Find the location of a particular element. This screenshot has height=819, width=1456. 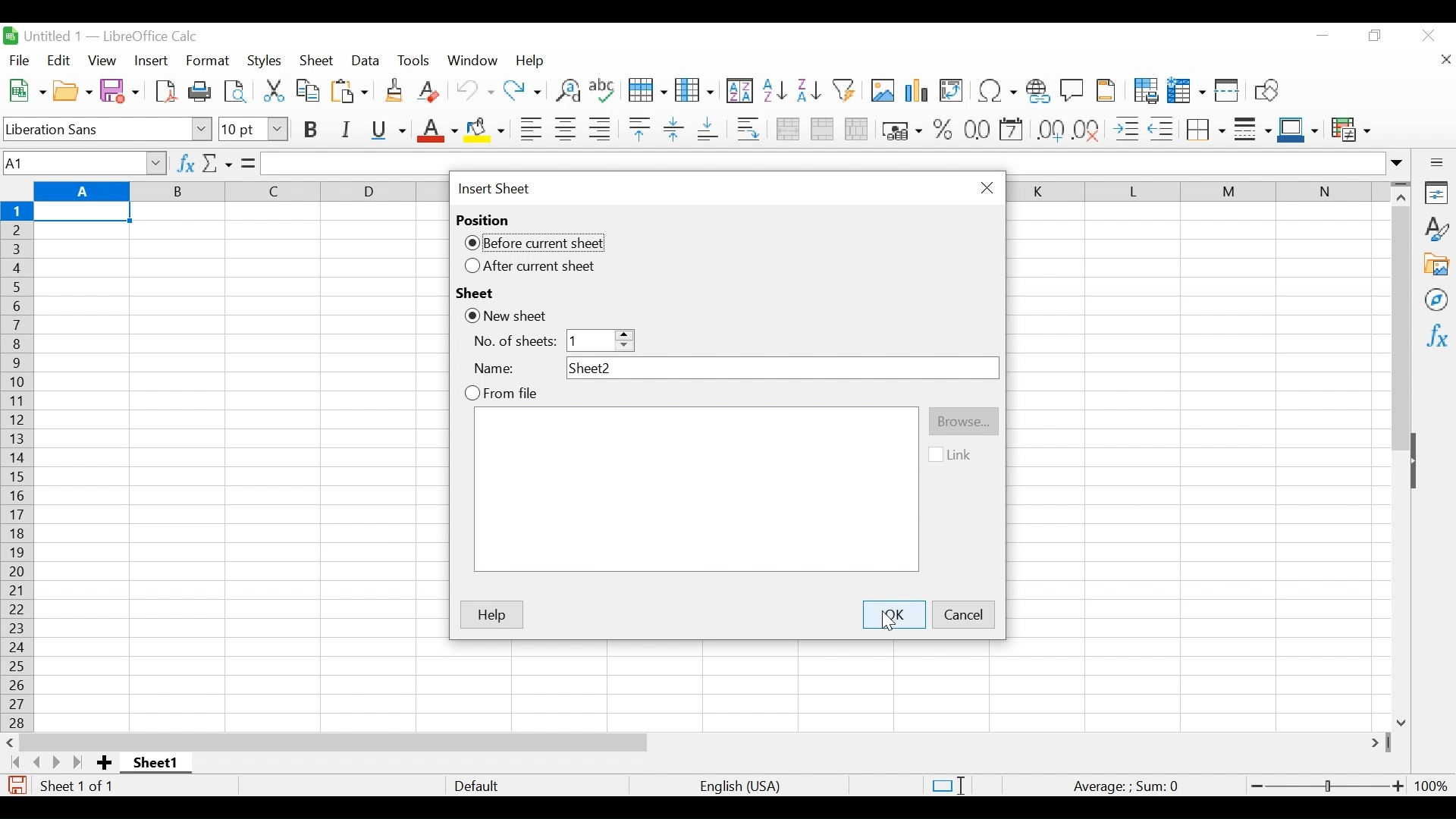

Cancel is located at coordinates (964, 614).